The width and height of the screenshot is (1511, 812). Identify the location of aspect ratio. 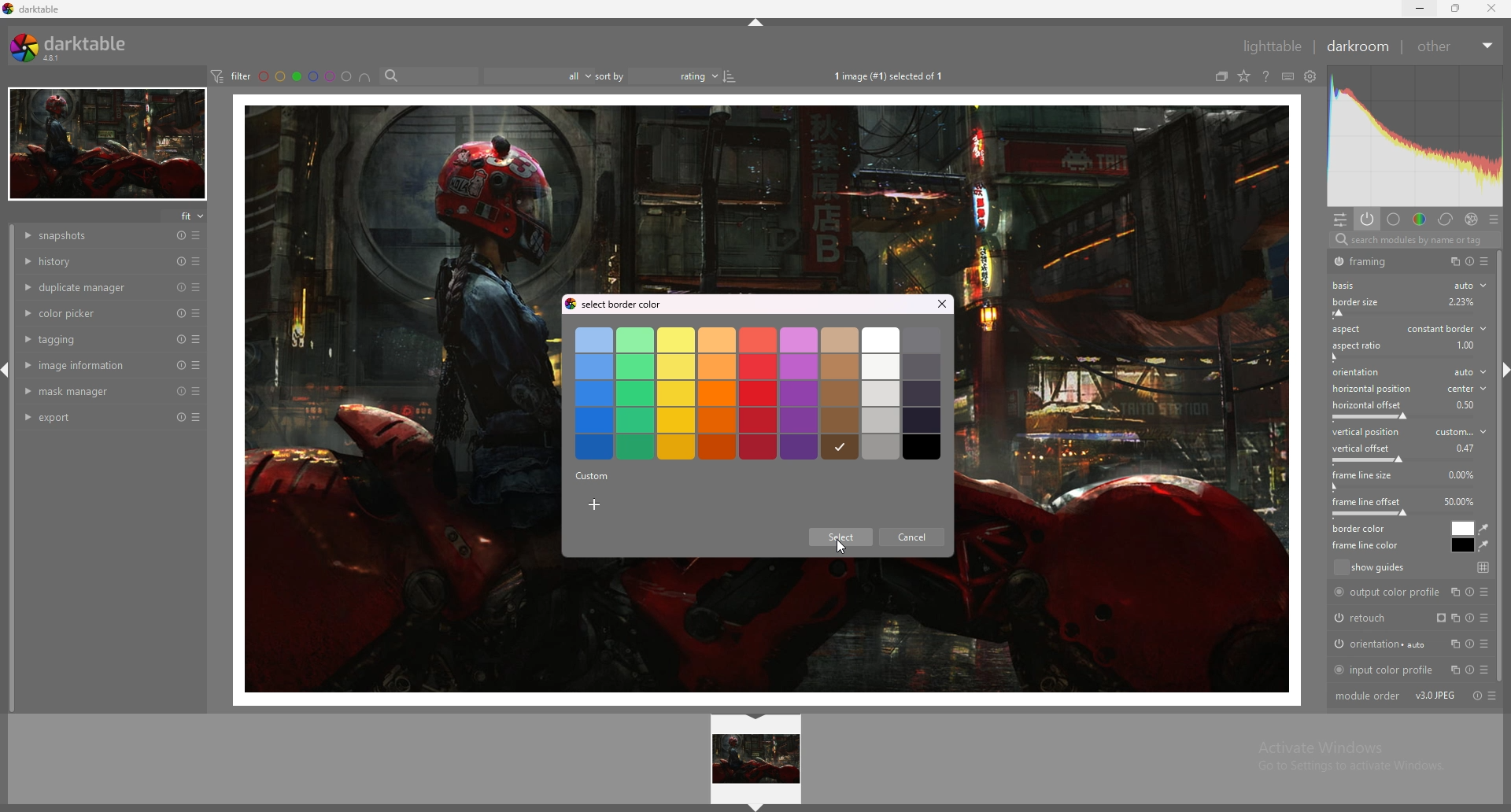
(1356, 346).